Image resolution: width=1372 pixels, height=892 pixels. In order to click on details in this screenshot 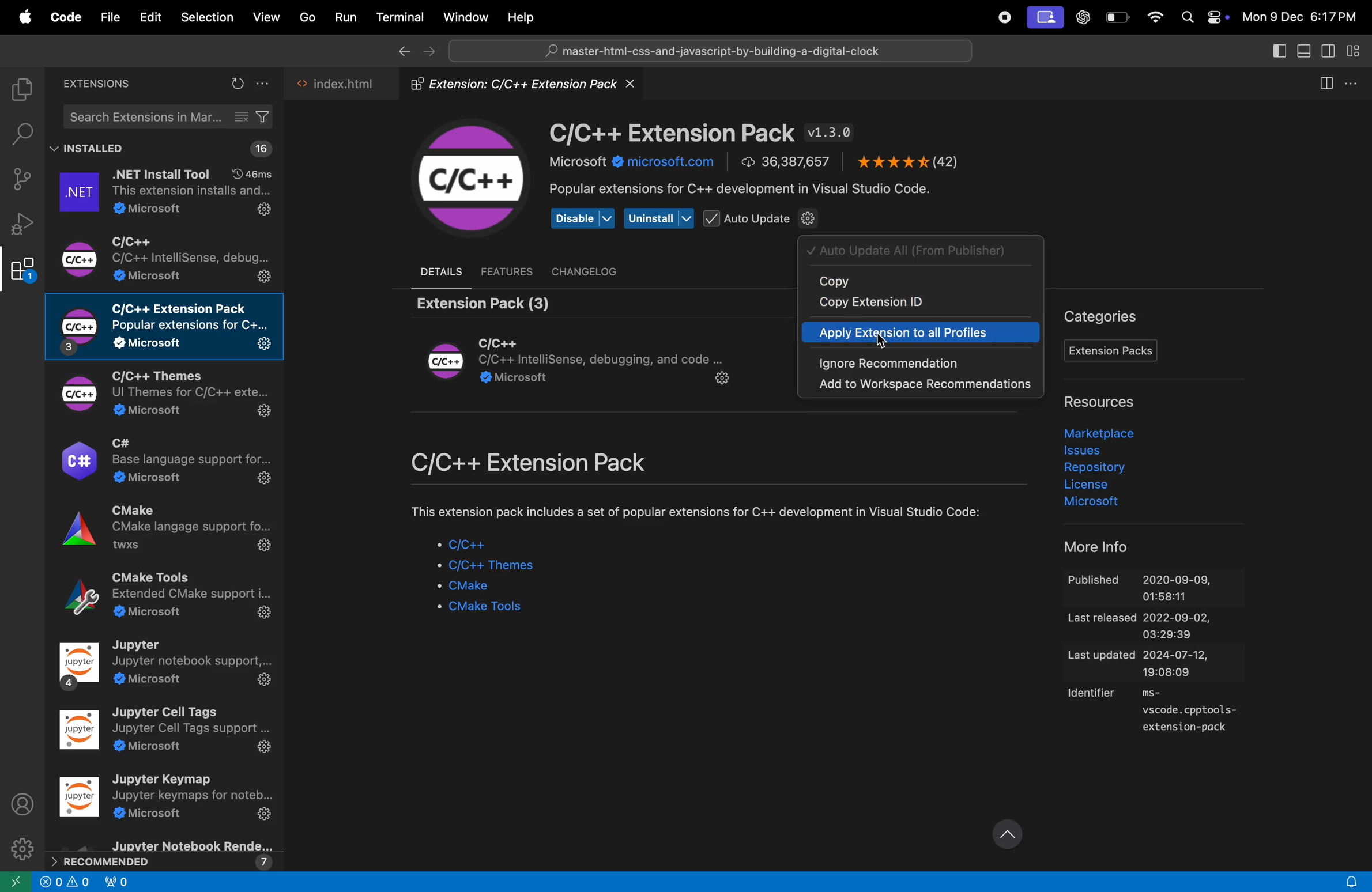, I will do `click(446, 270)`.